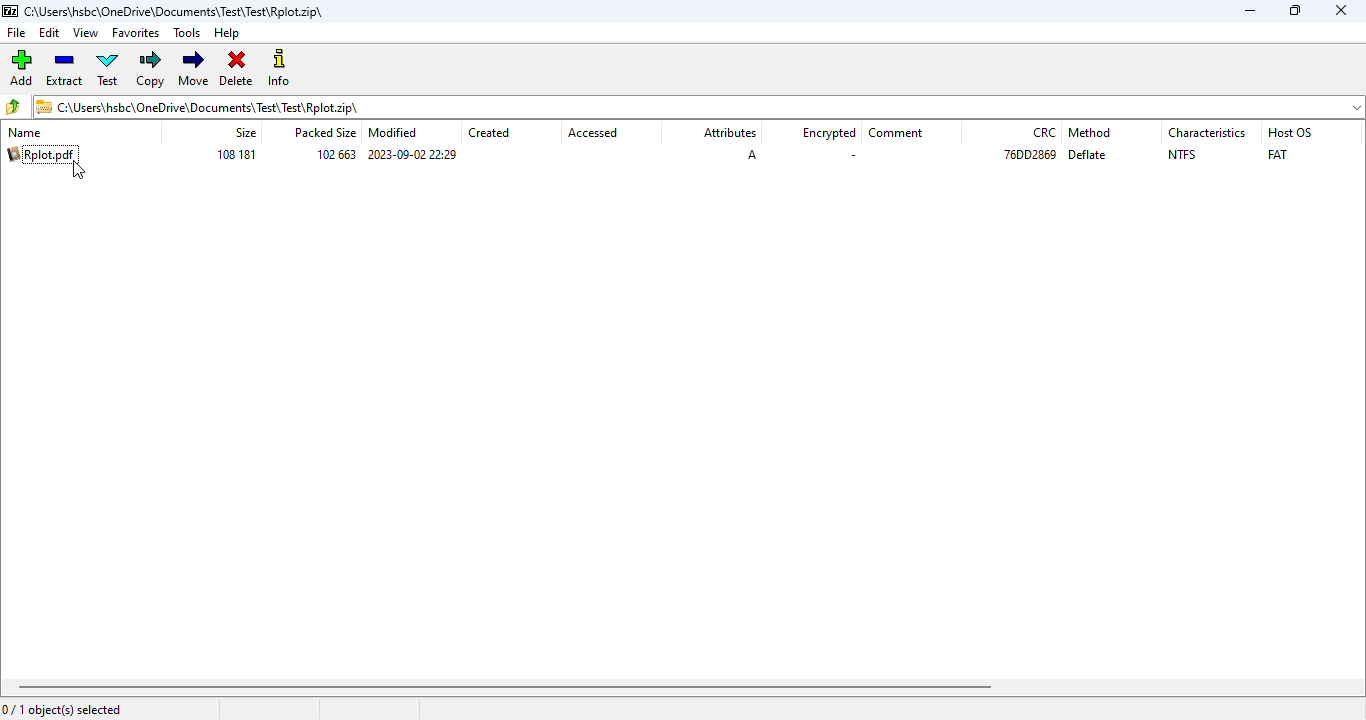  I want to click on host 0S, so click(1290, 132).